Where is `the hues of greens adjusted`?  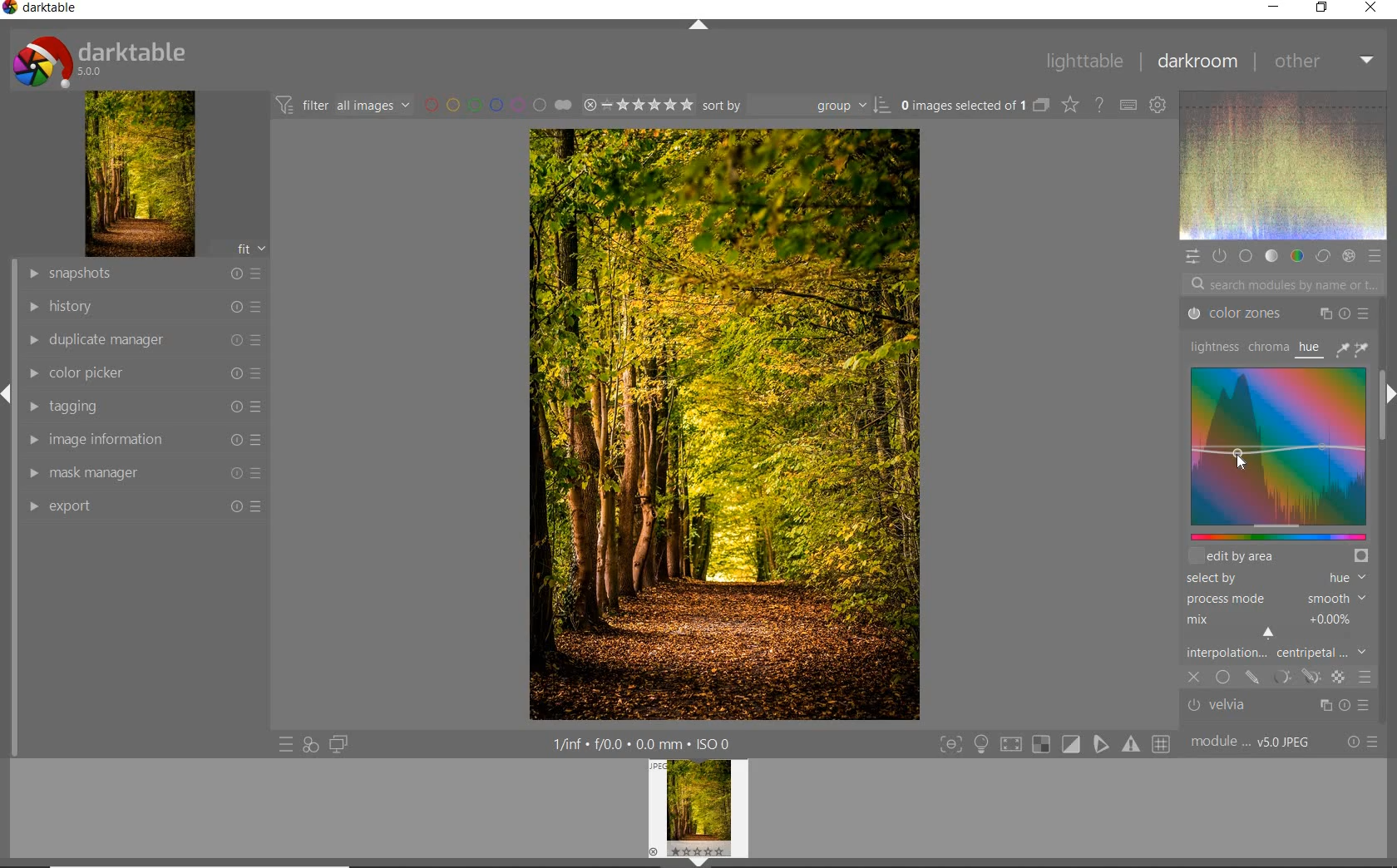
the hues of greens adjusted is located at coordinates (723, 428).